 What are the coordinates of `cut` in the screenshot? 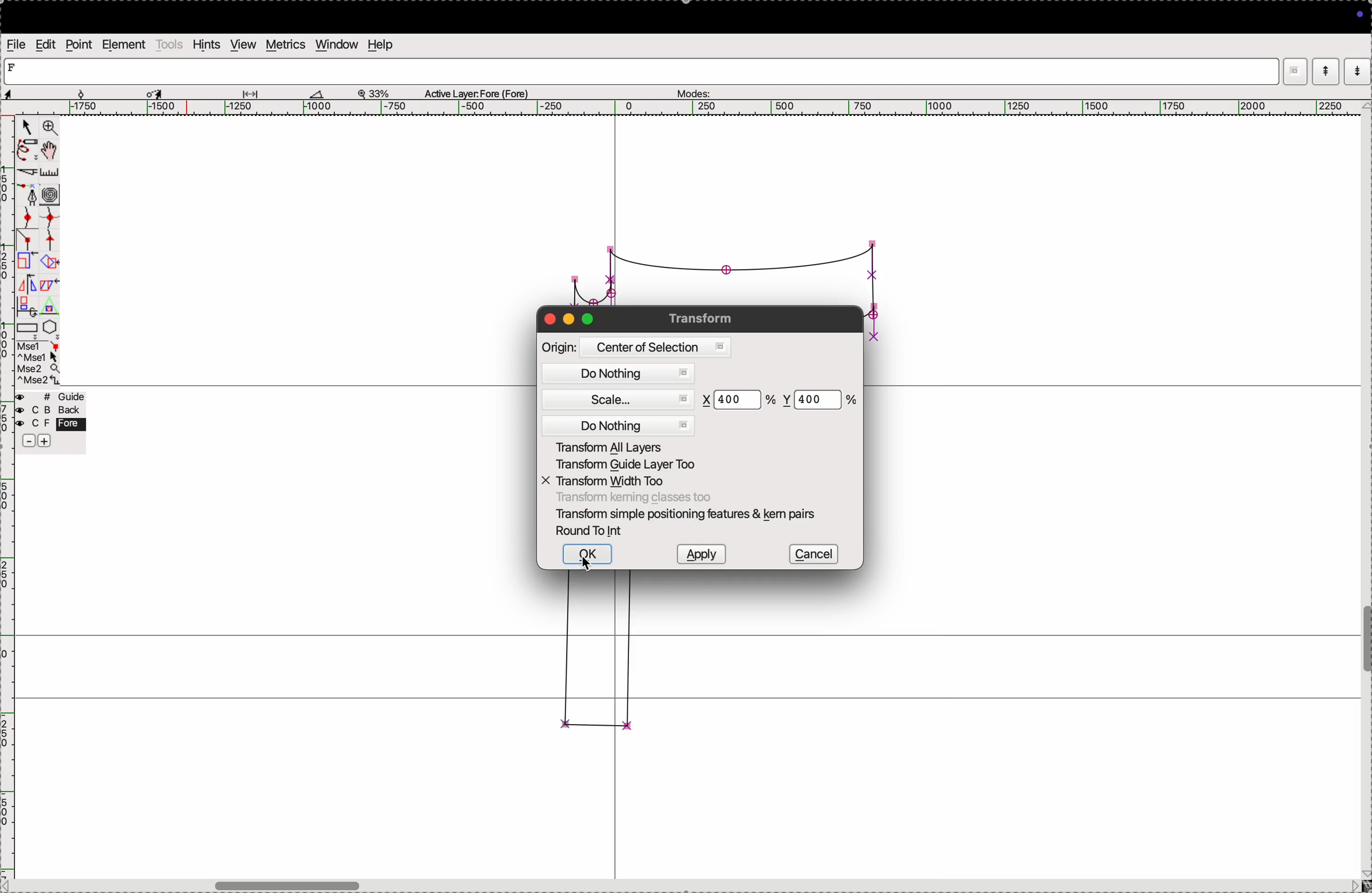 It's located at (28, 174).